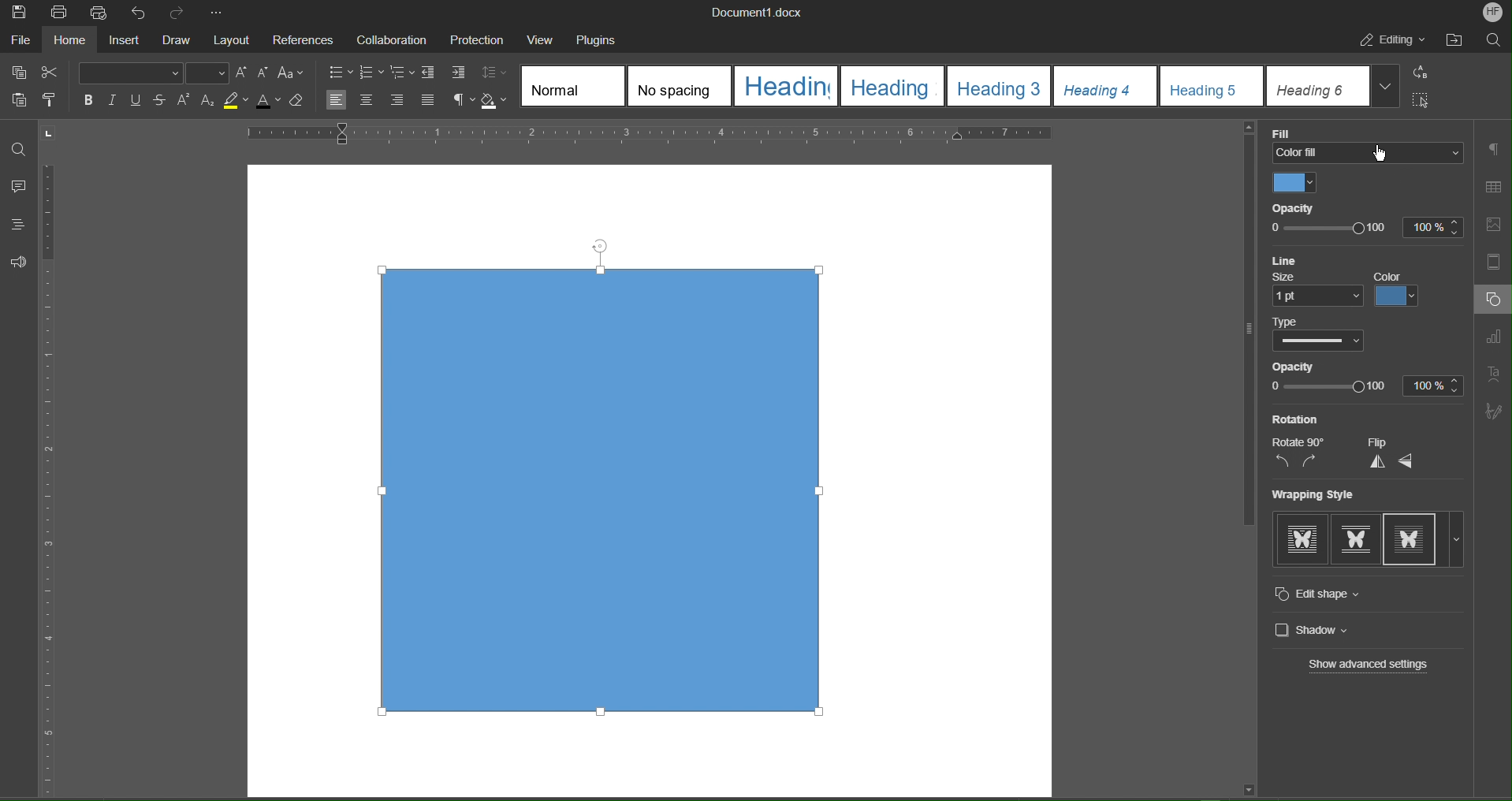 The width and height of the screenshot is (1512, 801). I want to click on Heading 5, so click(1212, 86).